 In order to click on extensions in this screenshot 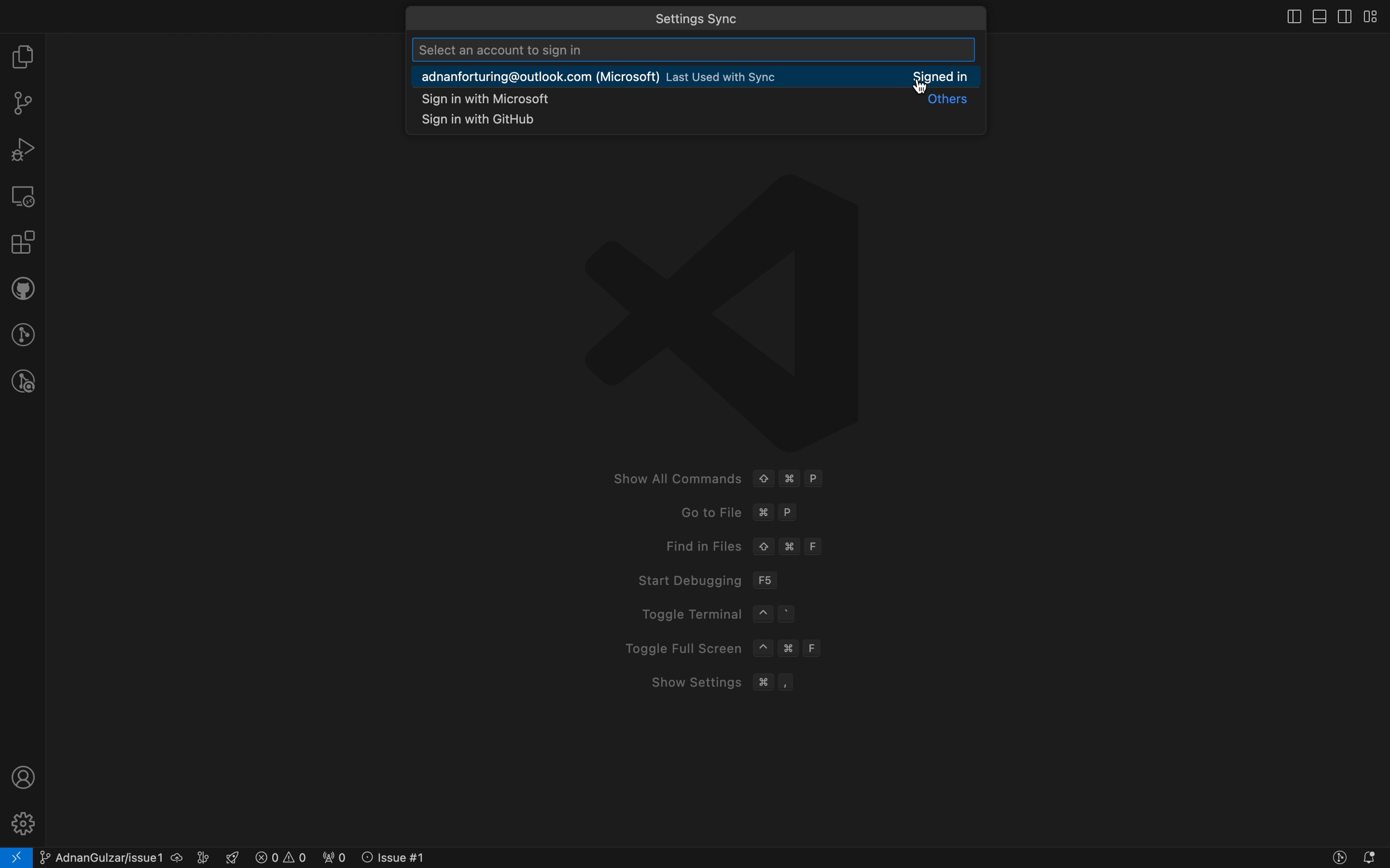, I will do `click(21, 243)`.